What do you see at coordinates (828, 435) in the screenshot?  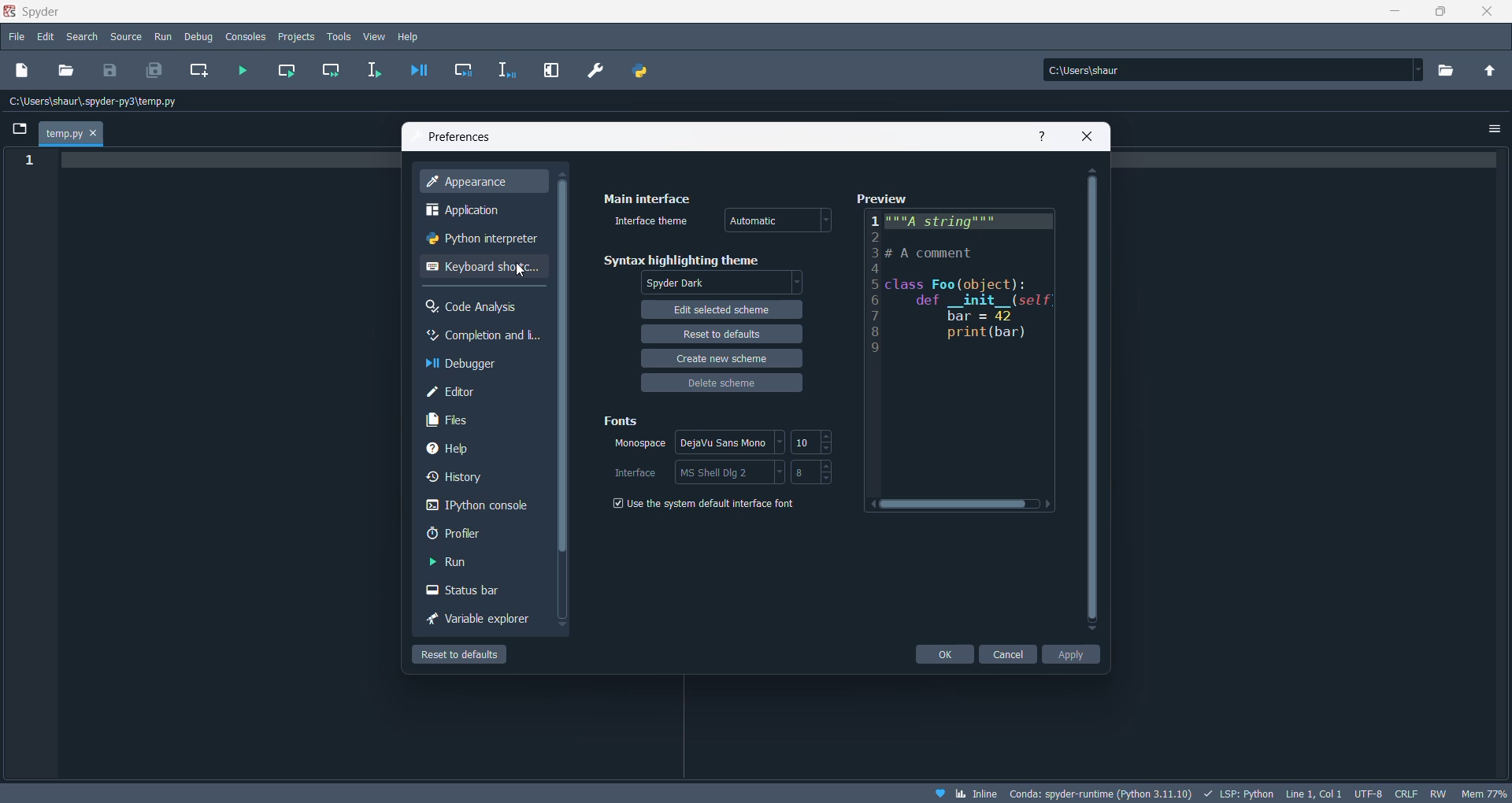 I see `increment ` at bounding box center [828, 435].